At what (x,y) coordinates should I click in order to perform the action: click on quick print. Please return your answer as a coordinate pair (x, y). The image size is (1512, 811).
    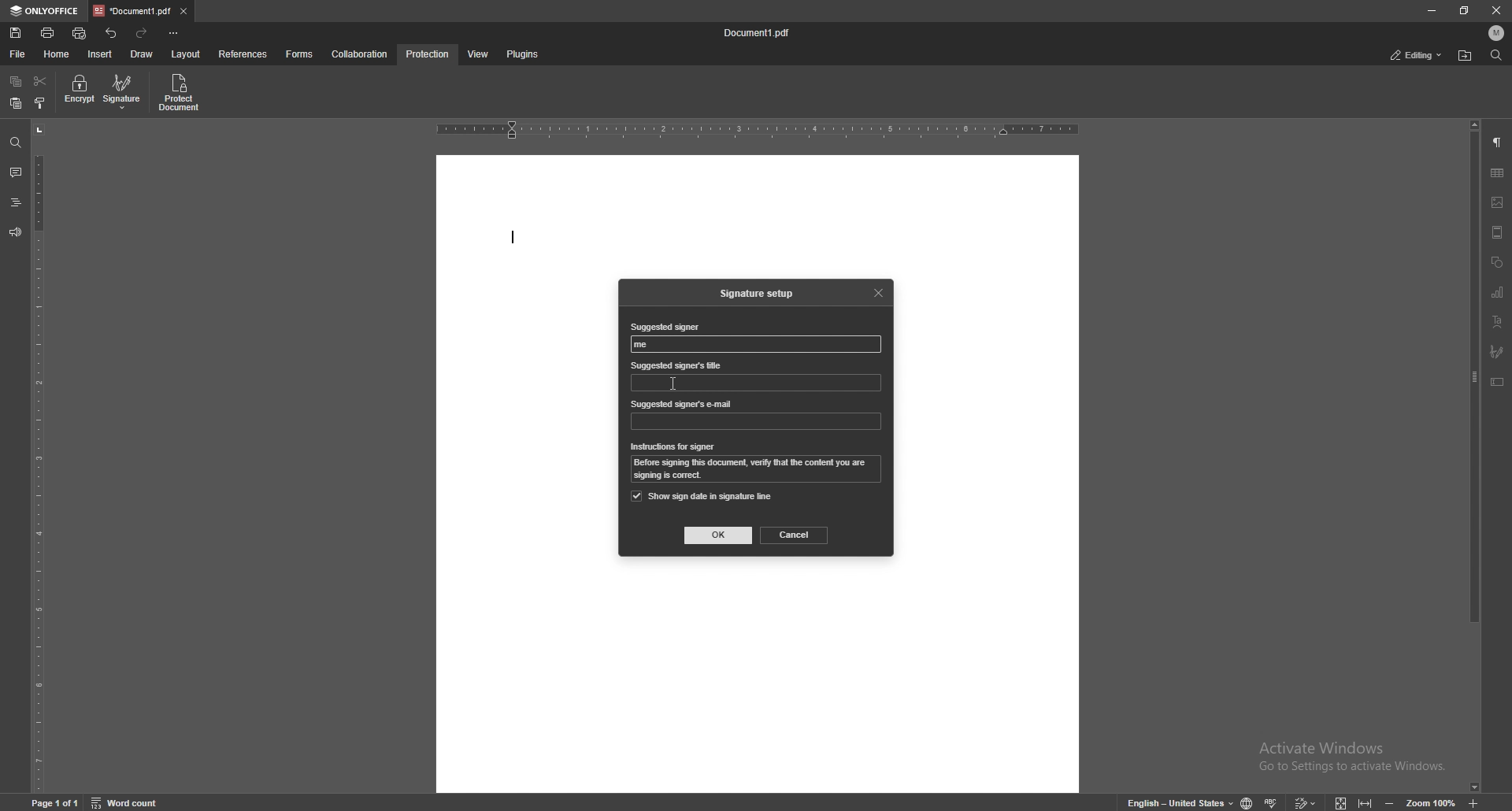
    Looking at the image, I should click on (80, 35).